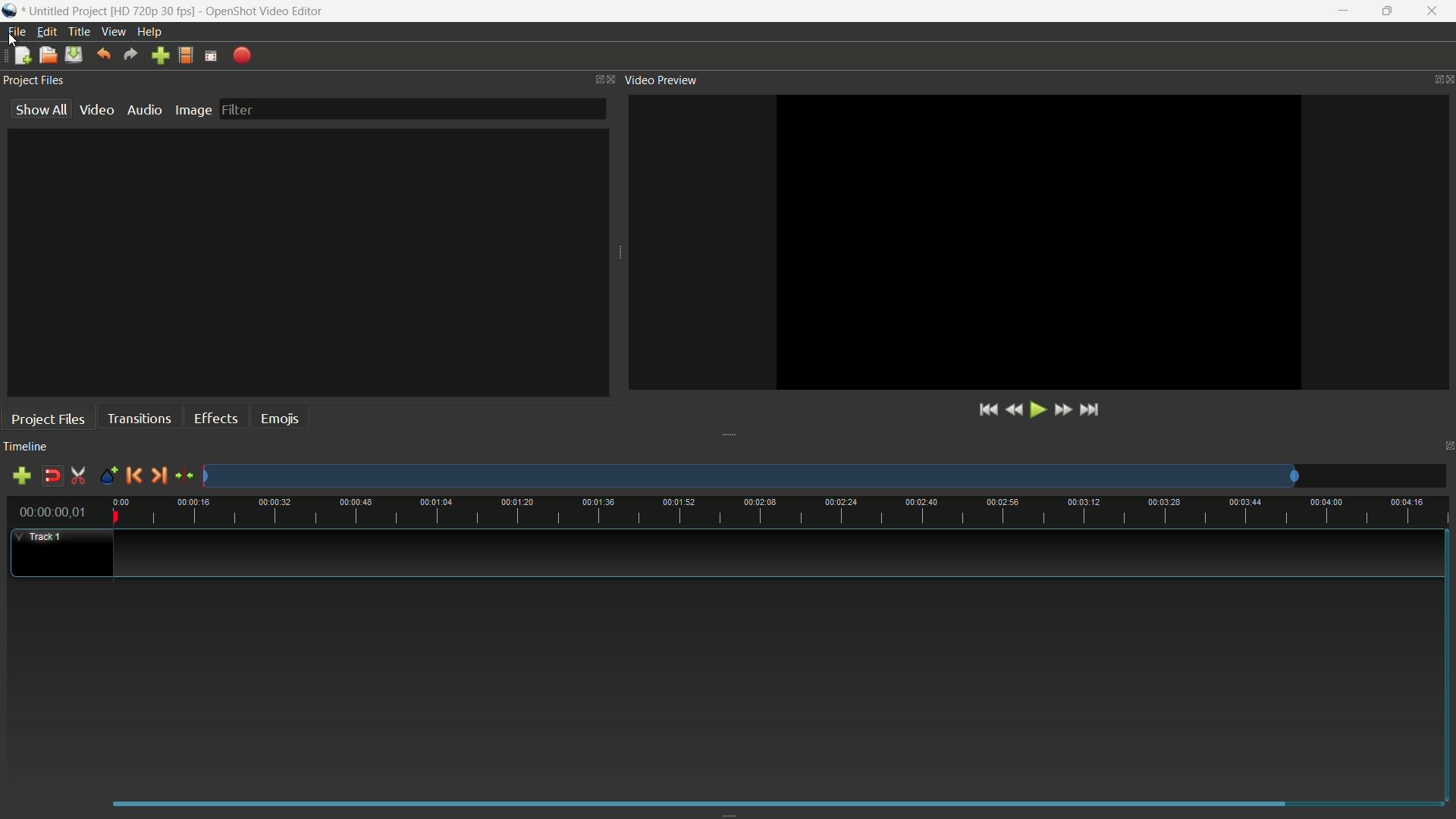 This screenshot has height=819, width=1456. I want to click on close timeline, so click(1447, 446).